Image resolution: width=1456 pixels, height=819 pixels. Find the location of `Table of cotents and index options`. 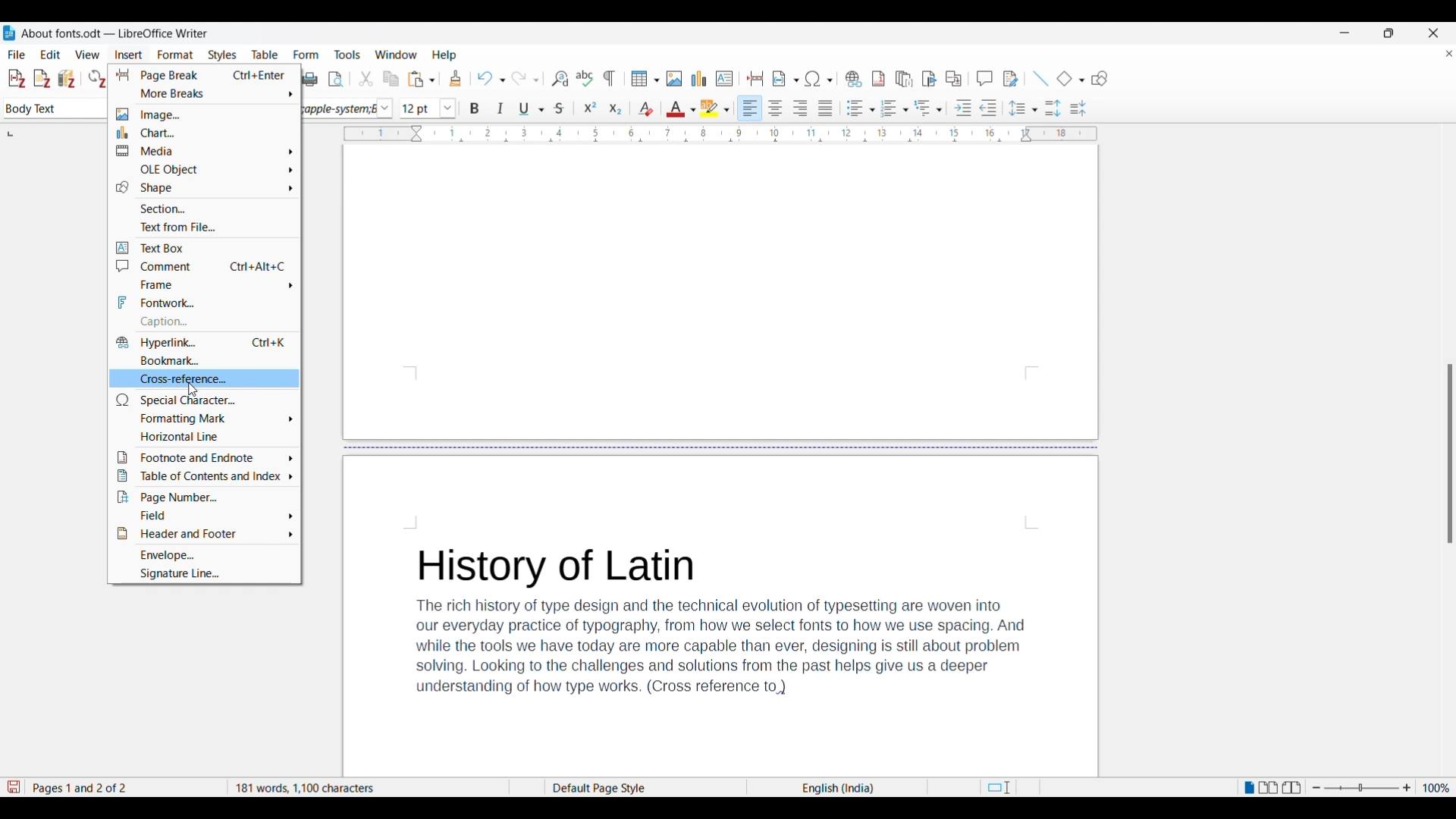

Table of cotents and index options is located at coordinates (204, 476).